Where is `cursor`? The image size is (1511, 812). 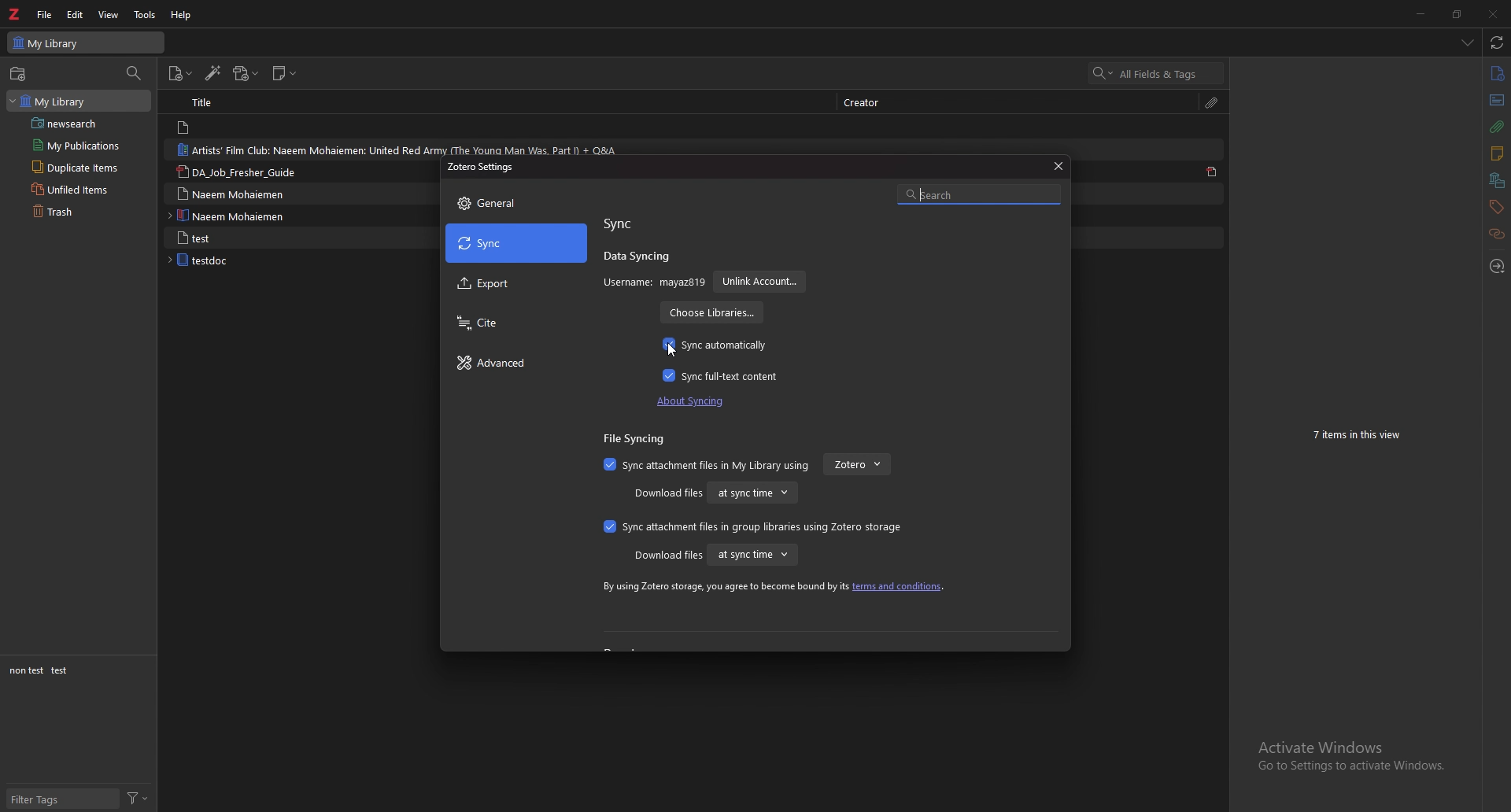 cursor is located at coordinates (674, 349).